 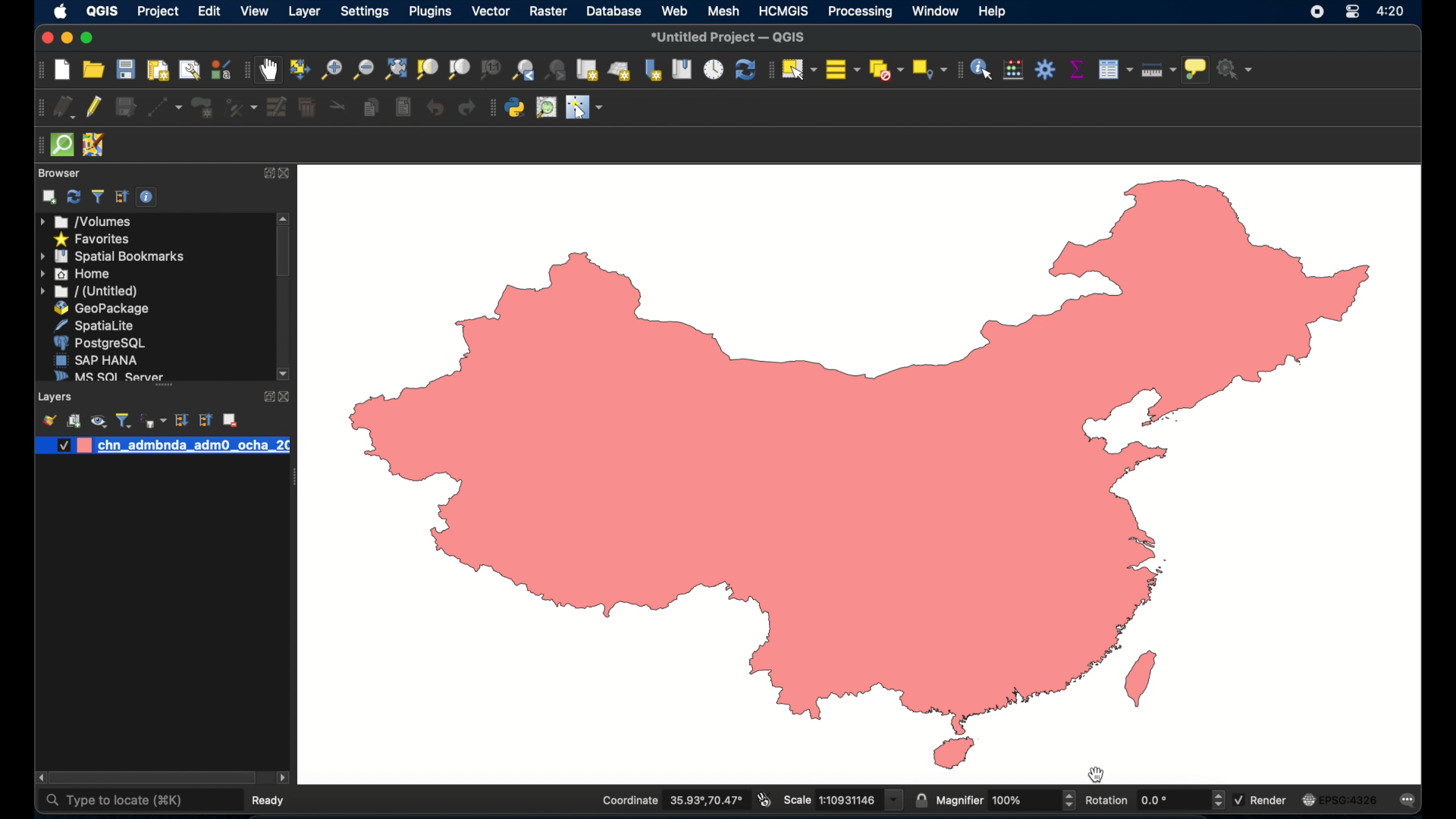 I want to click on favorites, so click(x=91, y=240).